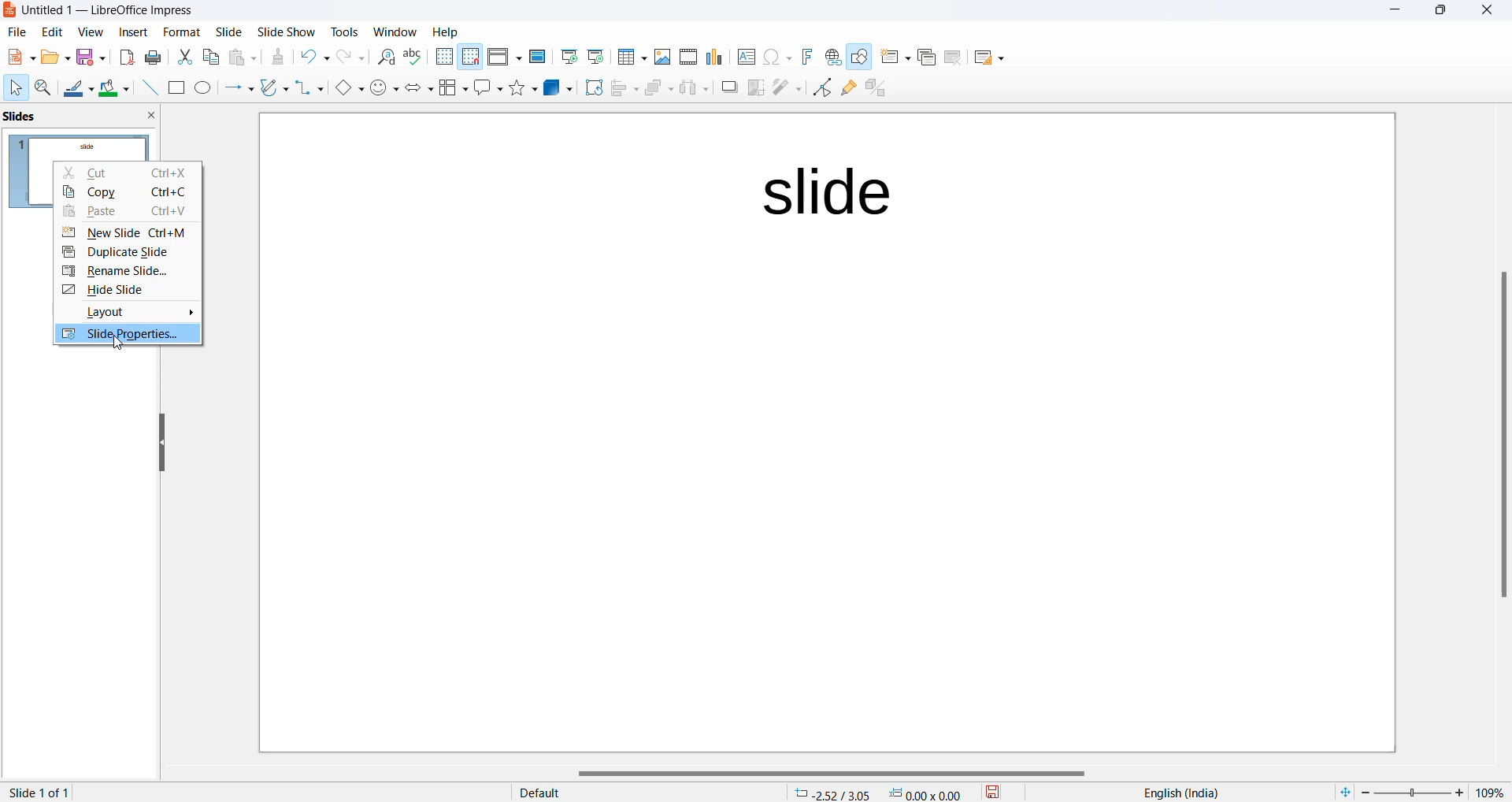 The height and width of the screenshot is (802, 1512). I want to click on insert image, so click(663, 56).